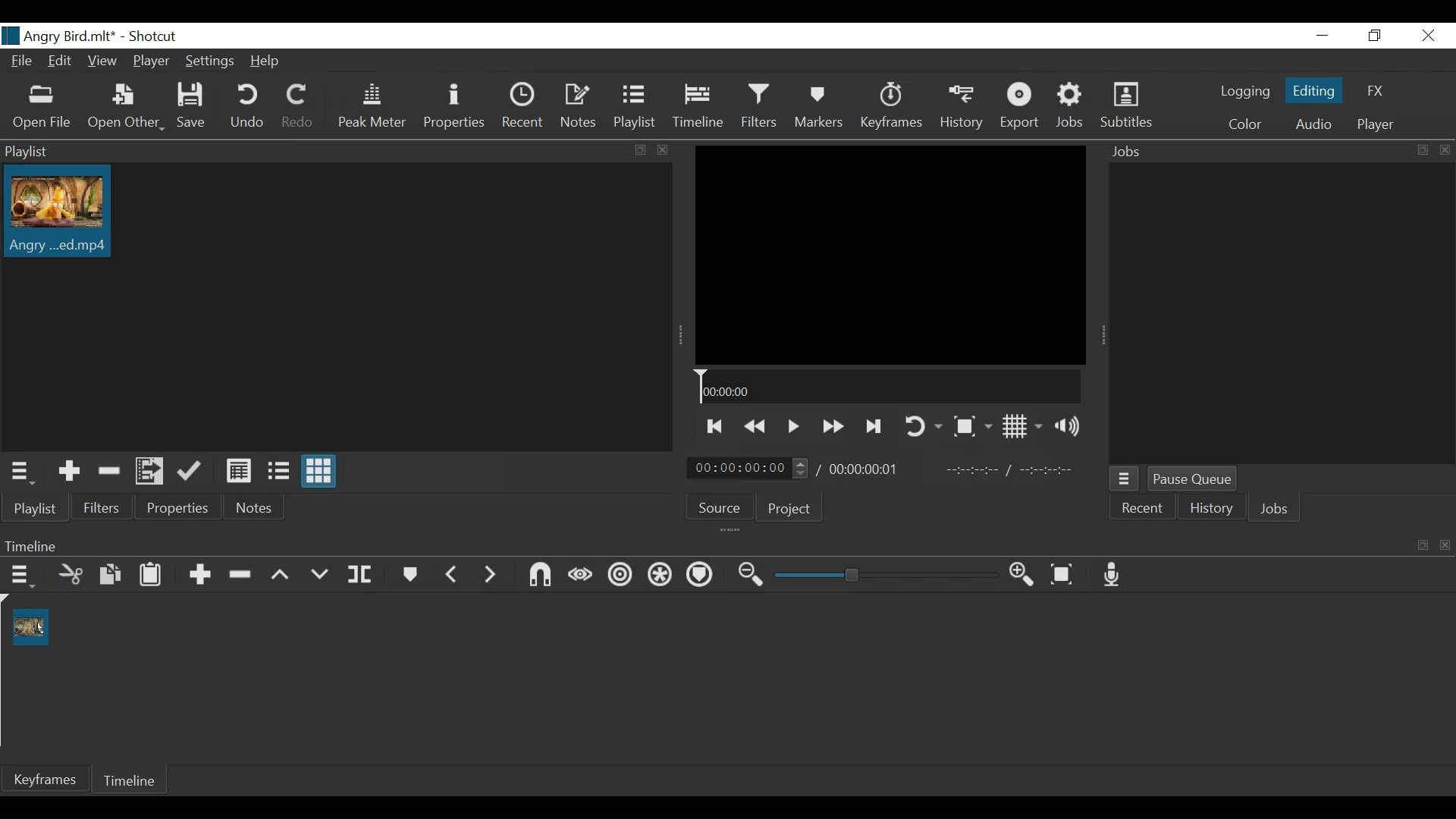  Describe the element at coordinates (1126, 105) in the screenshot. I see `Subtitles` at that location.